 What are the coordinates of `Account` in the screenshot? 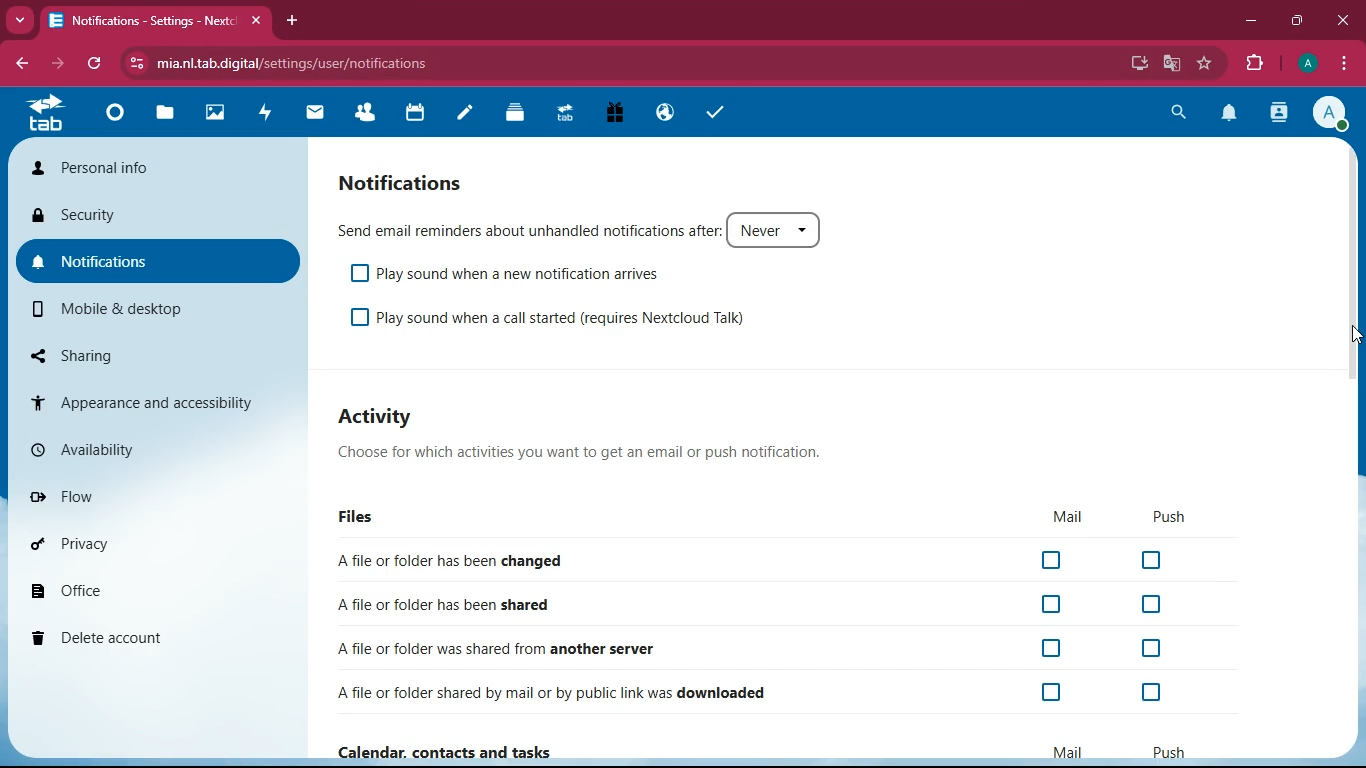 It's located at (1306, 64).